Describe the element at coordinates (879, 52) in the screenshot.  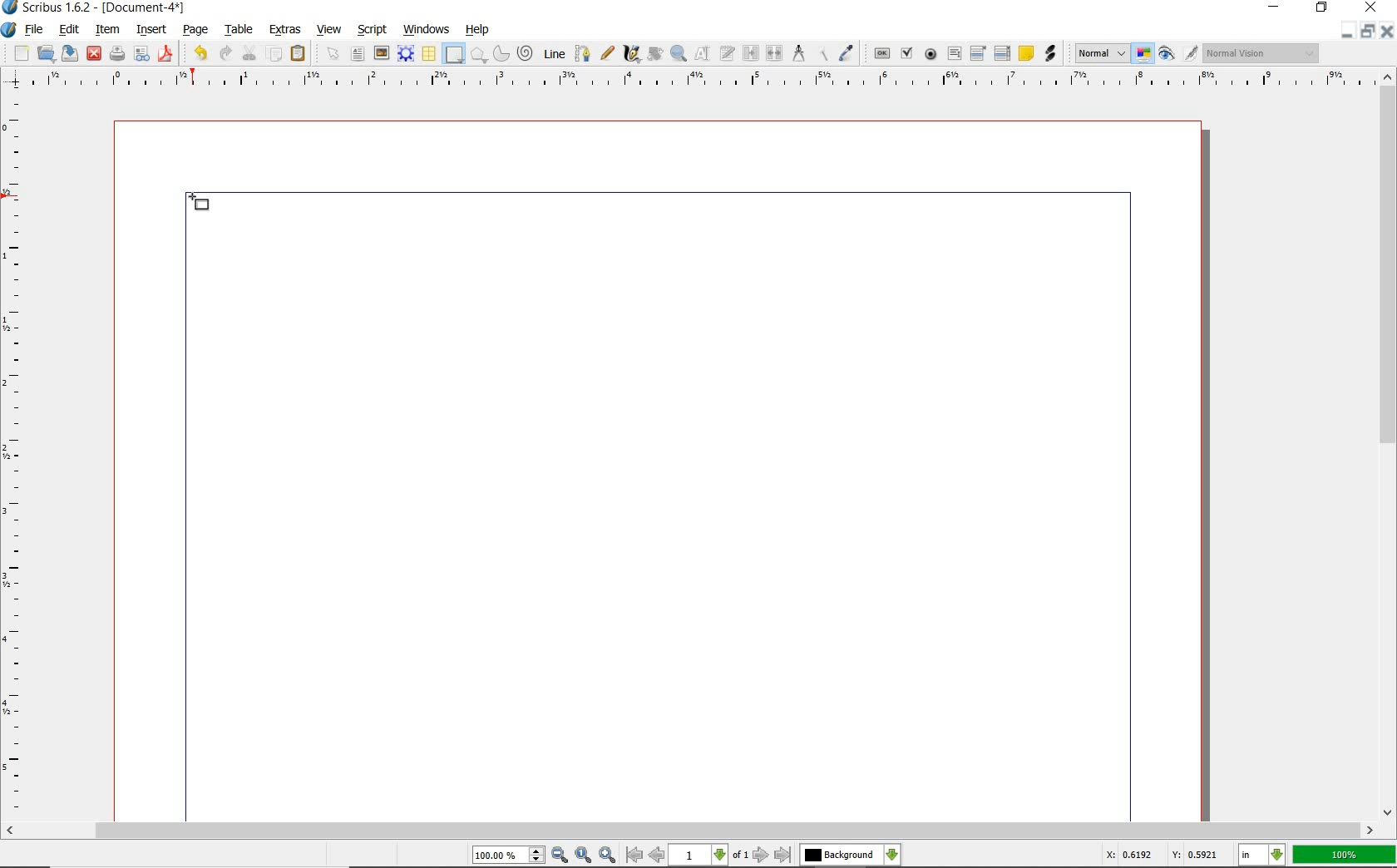
I see `pdf push button` at that location.